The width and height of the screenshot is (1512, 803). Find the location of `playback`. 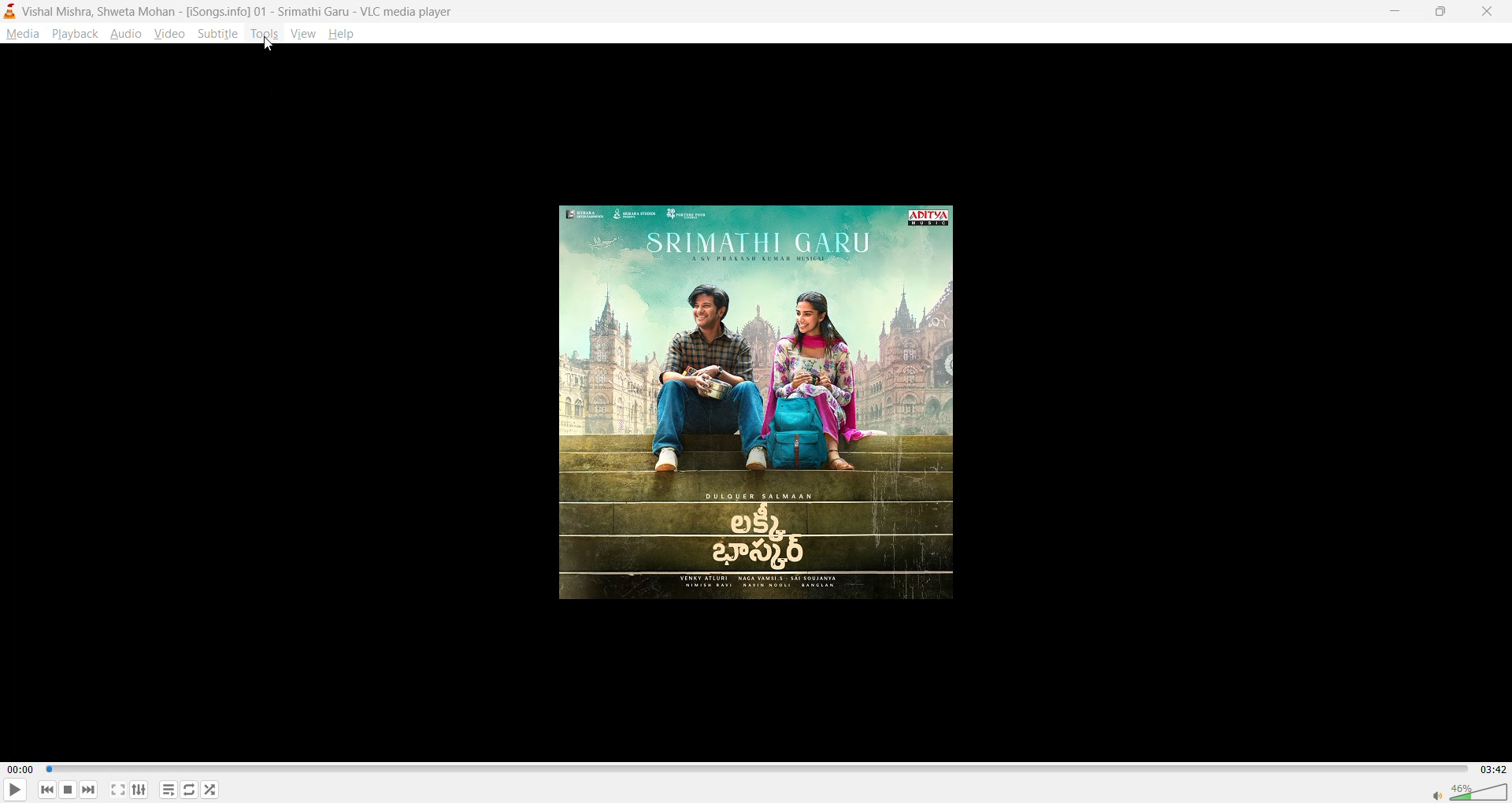

playback is located at coordinates (74, 33).